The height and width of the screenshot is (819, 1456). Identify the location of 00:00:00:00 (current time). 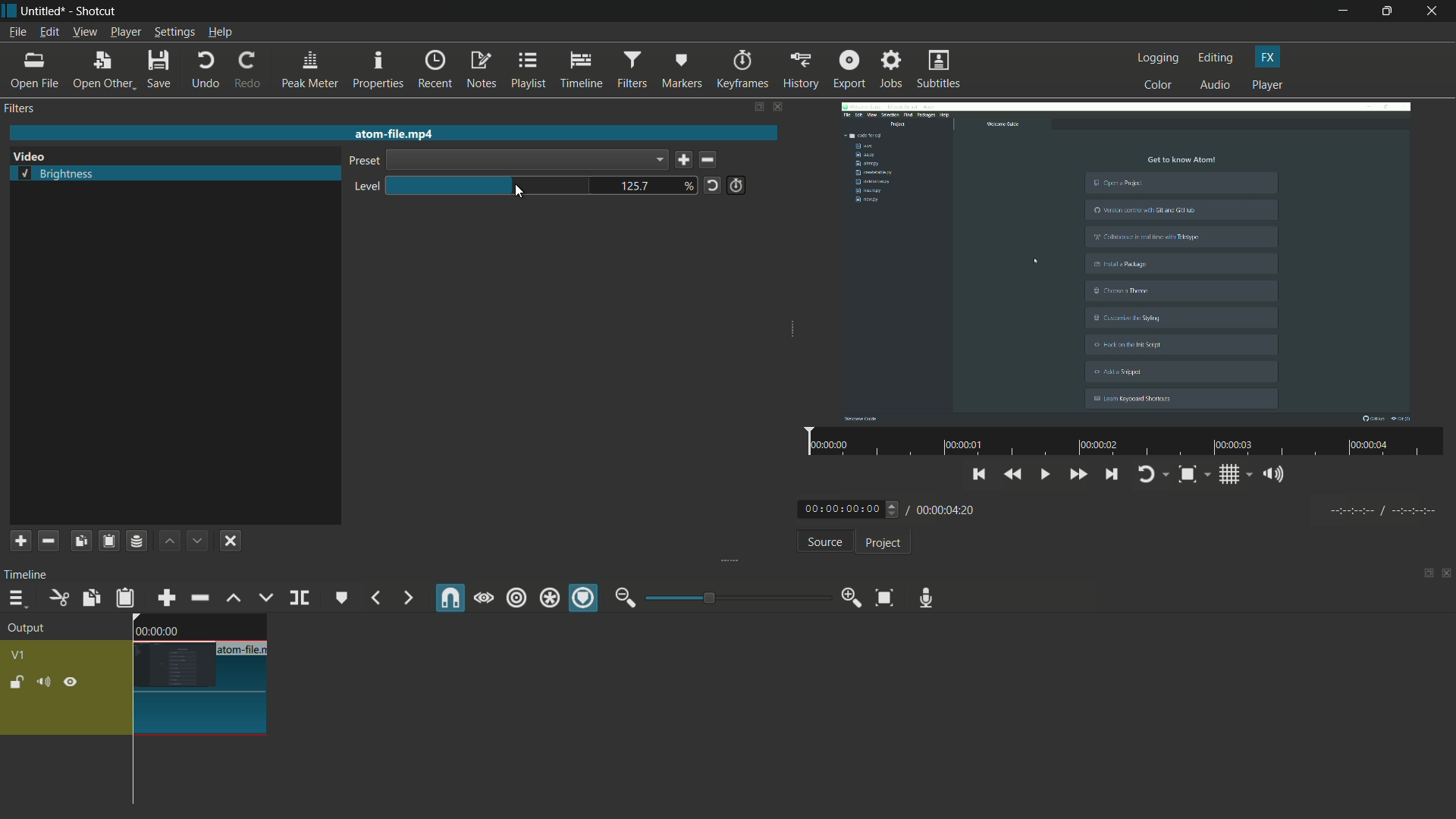
(850, 508).